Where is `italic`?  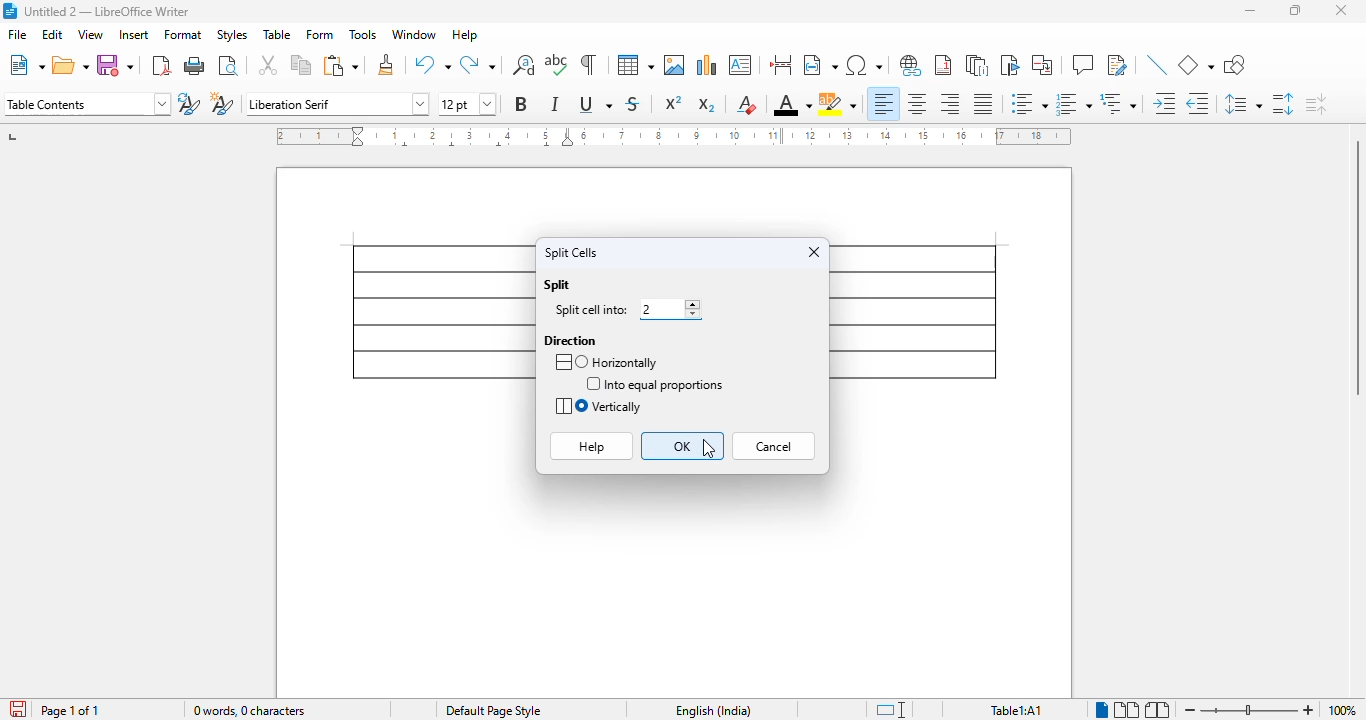 italic is located at coordinates (555, 104).